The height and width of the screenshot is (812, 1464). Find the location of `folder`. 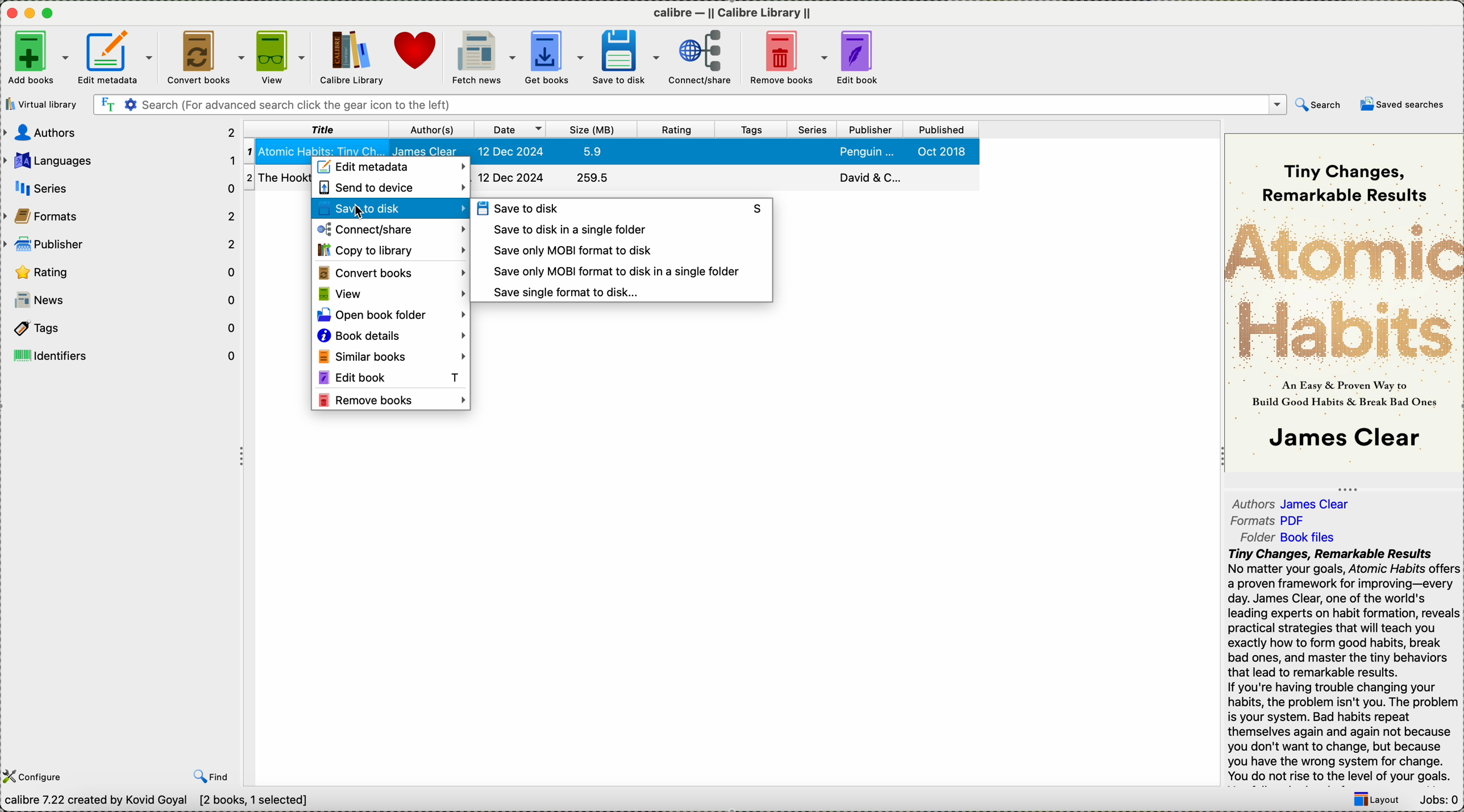

folder is located at coordinates (1291, 538).